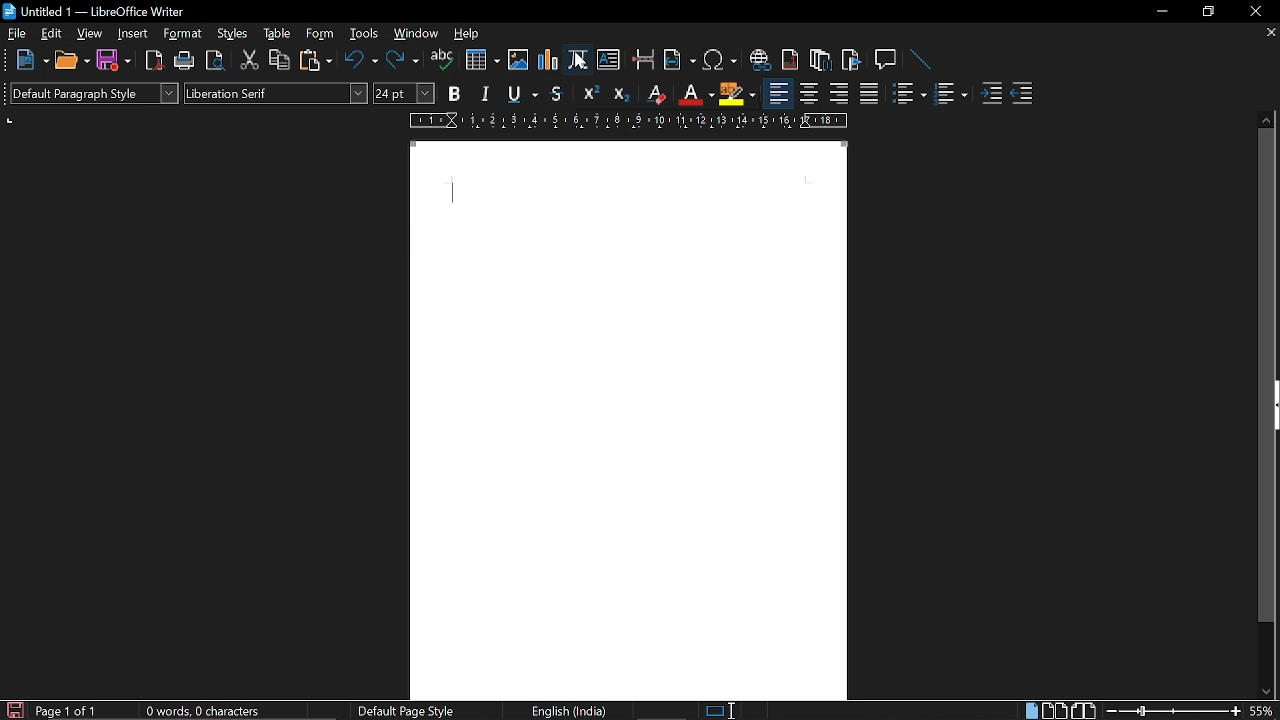 The width and height of the screenshot is (1280, 720). I want to click on , so click(8, 63).